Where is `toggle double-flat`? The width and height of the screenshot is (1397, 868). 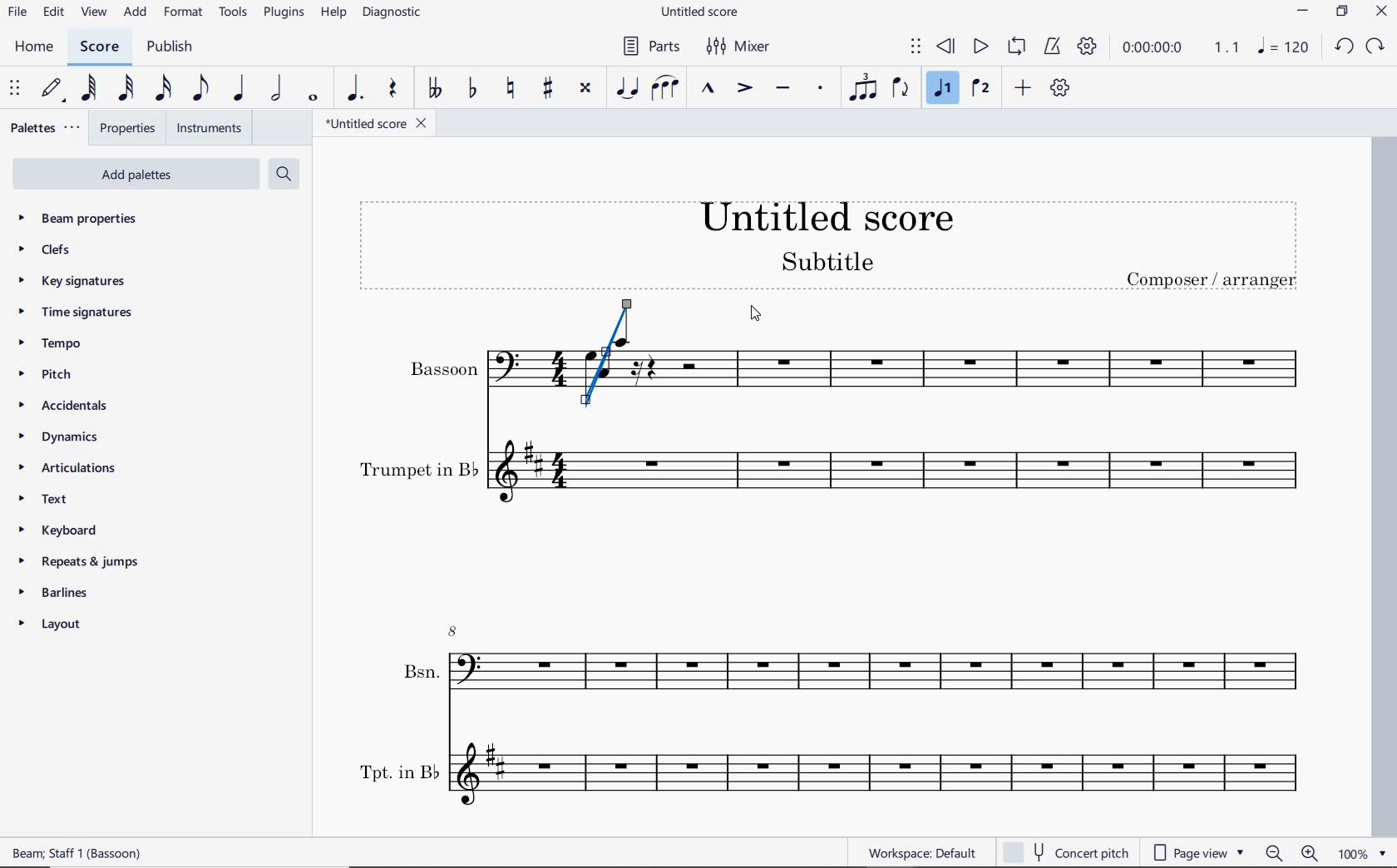
toggle double-flat is located at coordinates (435, 89).